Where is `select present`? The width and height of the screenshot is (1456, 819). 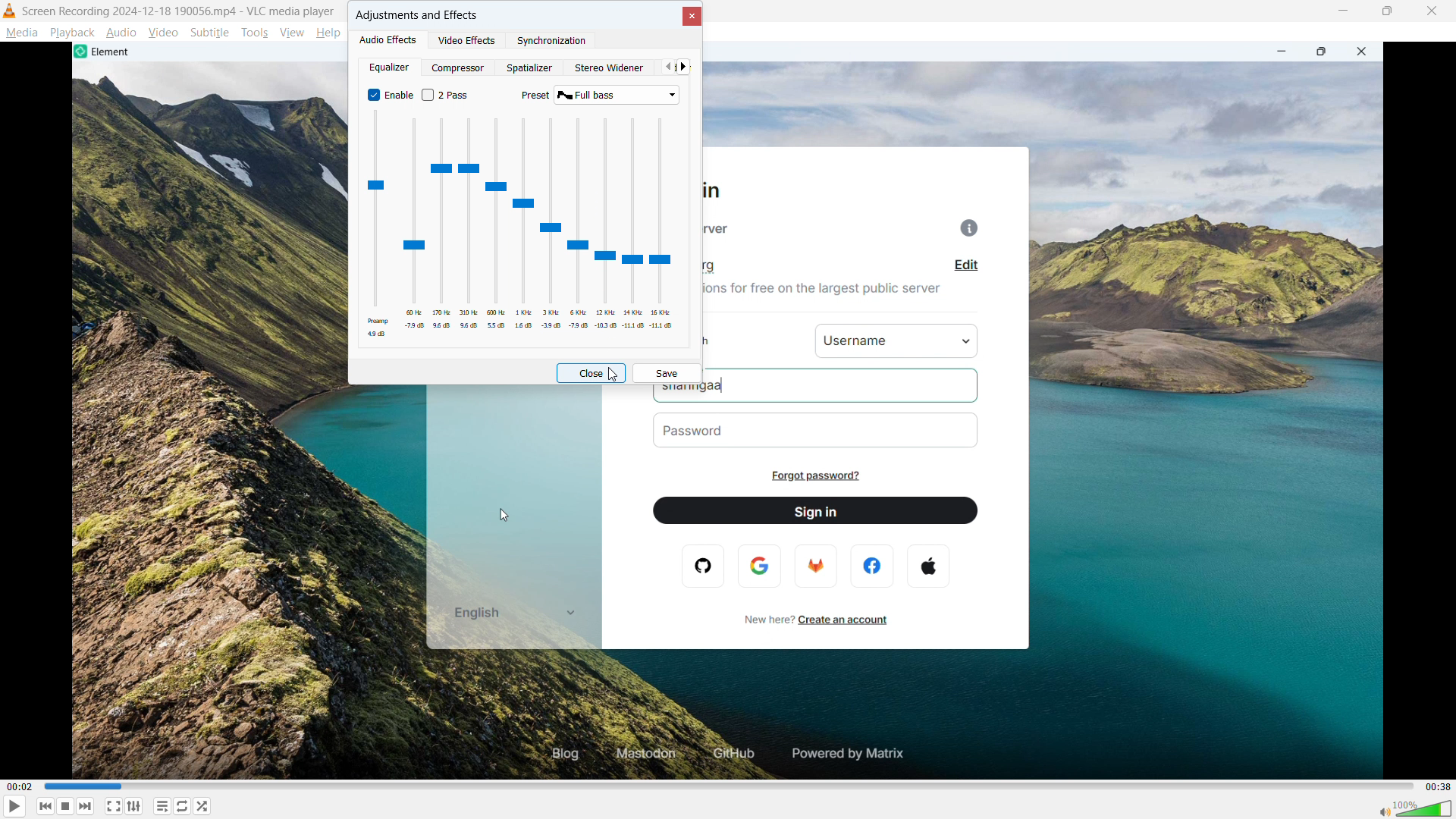
select present is located at coordinates (599, 95).